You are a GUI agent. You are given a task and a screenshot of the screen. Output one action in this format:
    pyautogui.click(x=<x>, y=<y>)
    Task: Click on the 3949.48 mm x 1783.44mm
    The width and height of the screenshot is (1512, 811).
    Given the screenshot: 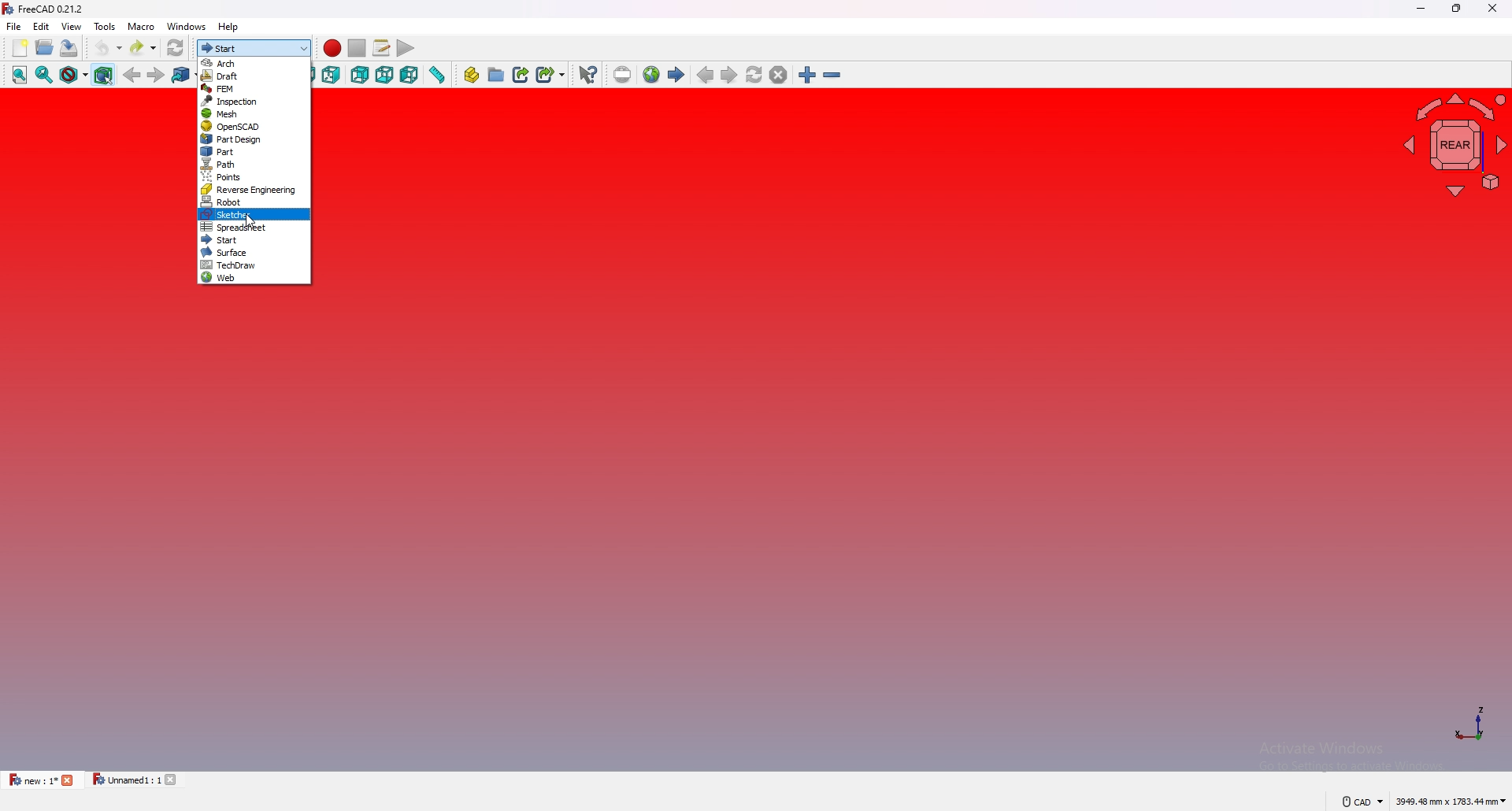 What is the action you would take?
    pyautogui.click(x=1452, y=799)
    